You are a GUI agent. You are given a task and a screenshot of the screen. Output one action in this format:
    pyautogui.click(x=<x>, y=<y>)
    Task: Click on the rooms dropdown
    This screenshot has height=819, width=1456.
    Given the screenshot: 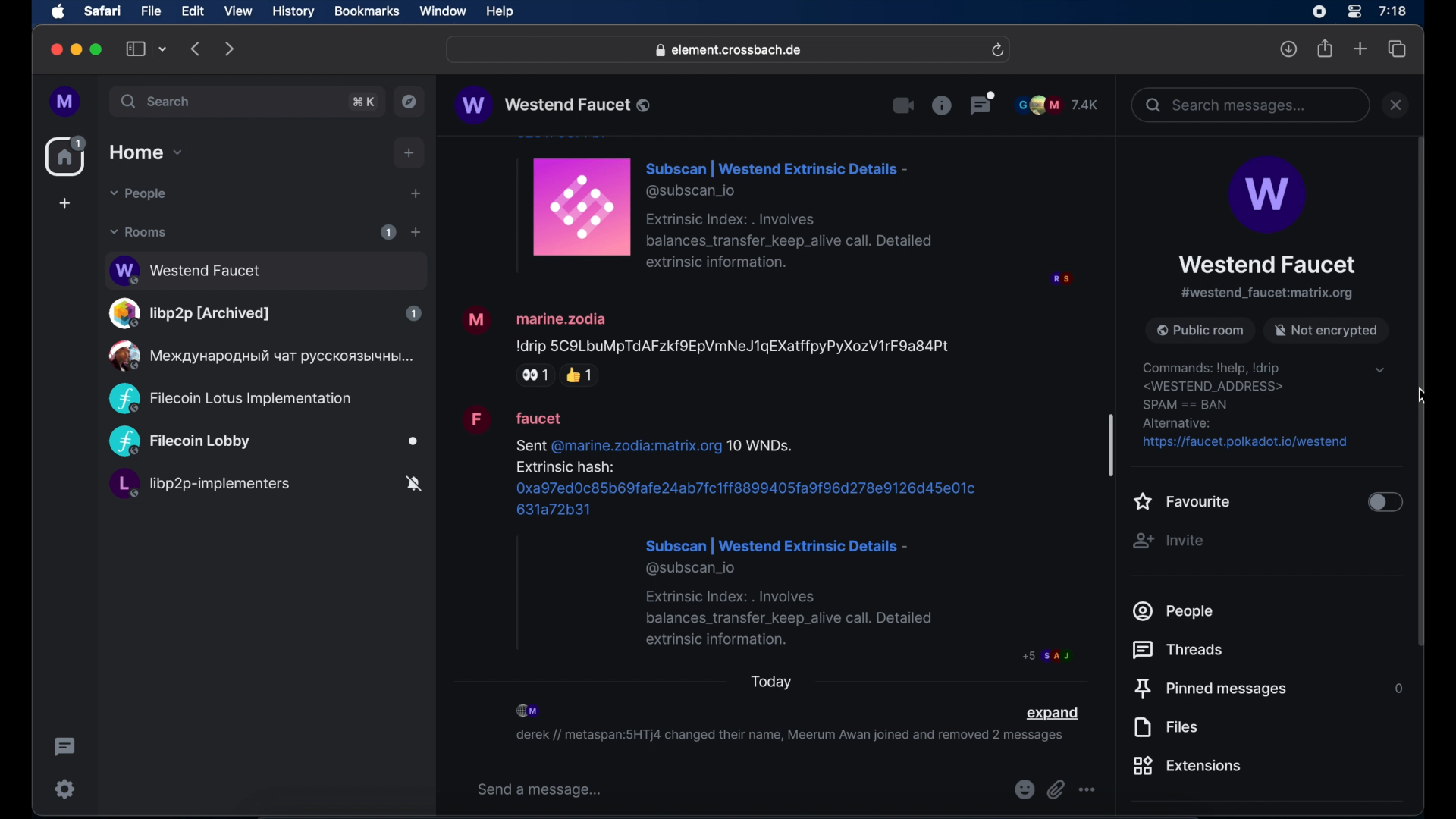 What is the action you would take?
    pyautogui.click(x=139, y=232)
    